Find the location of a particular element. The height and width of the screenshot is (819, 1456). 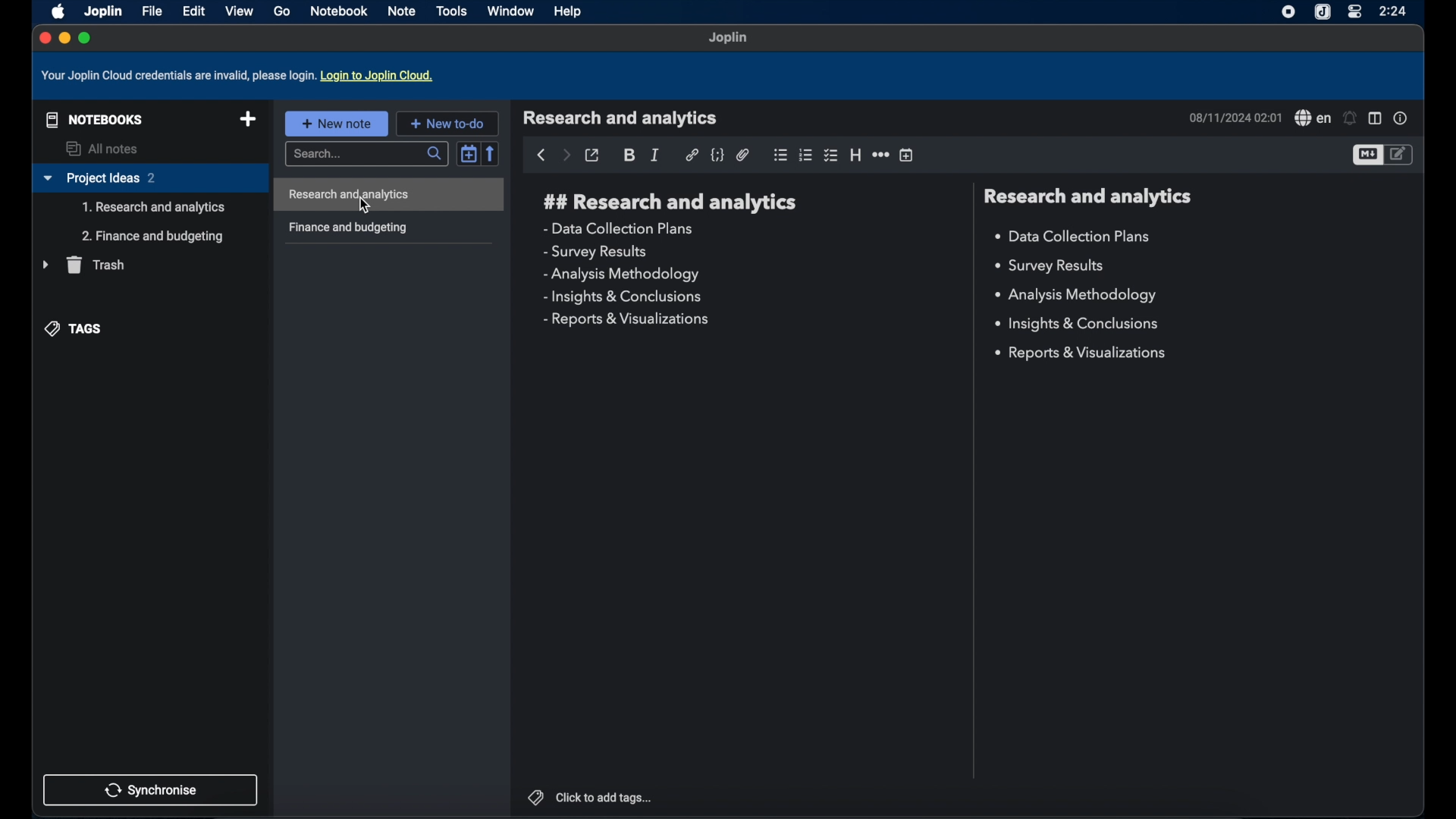

new notebook is located at coordinates (248, 120).